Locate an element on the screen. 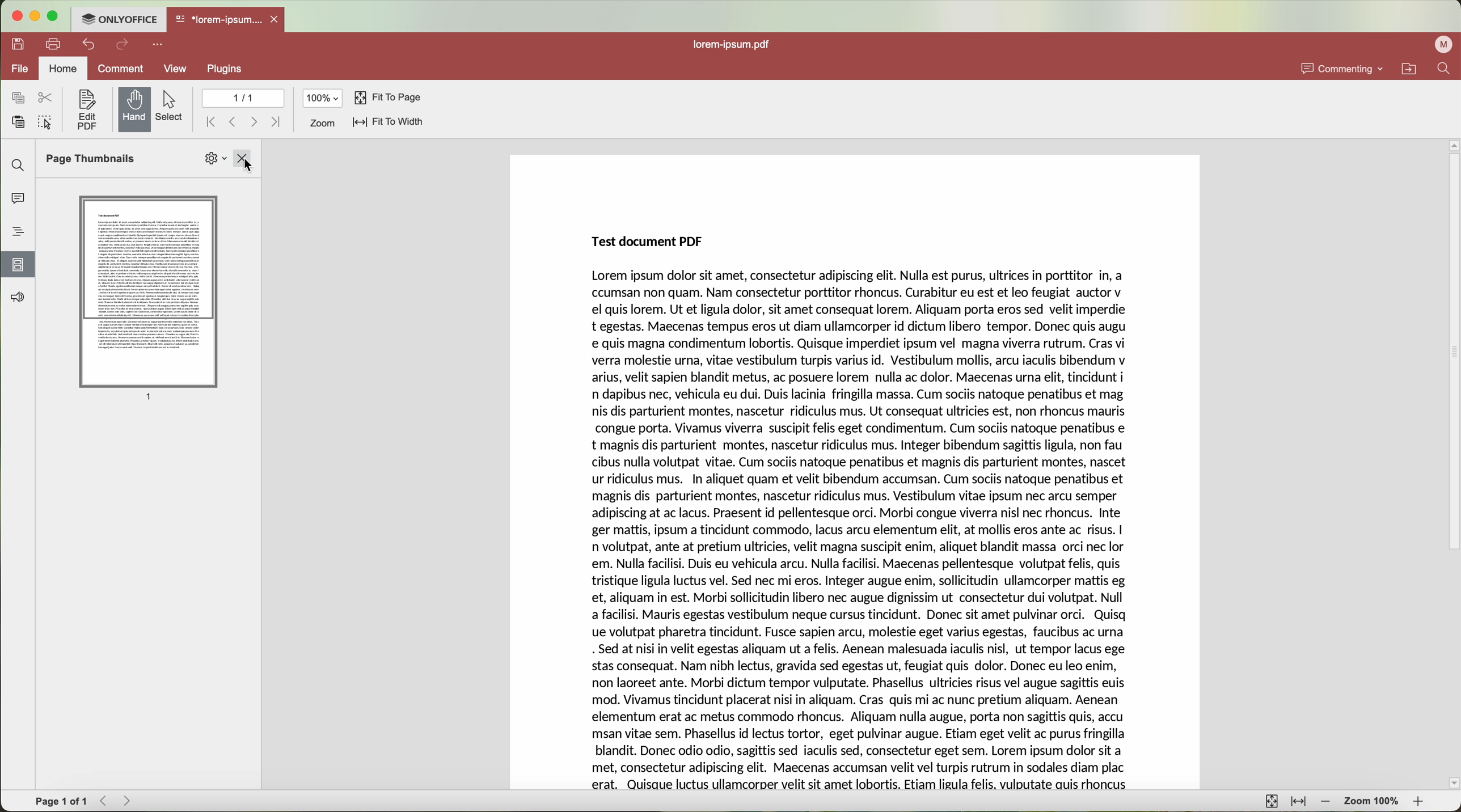 The image size is (1461, 812). 100% is located at coordinates (324, 98).